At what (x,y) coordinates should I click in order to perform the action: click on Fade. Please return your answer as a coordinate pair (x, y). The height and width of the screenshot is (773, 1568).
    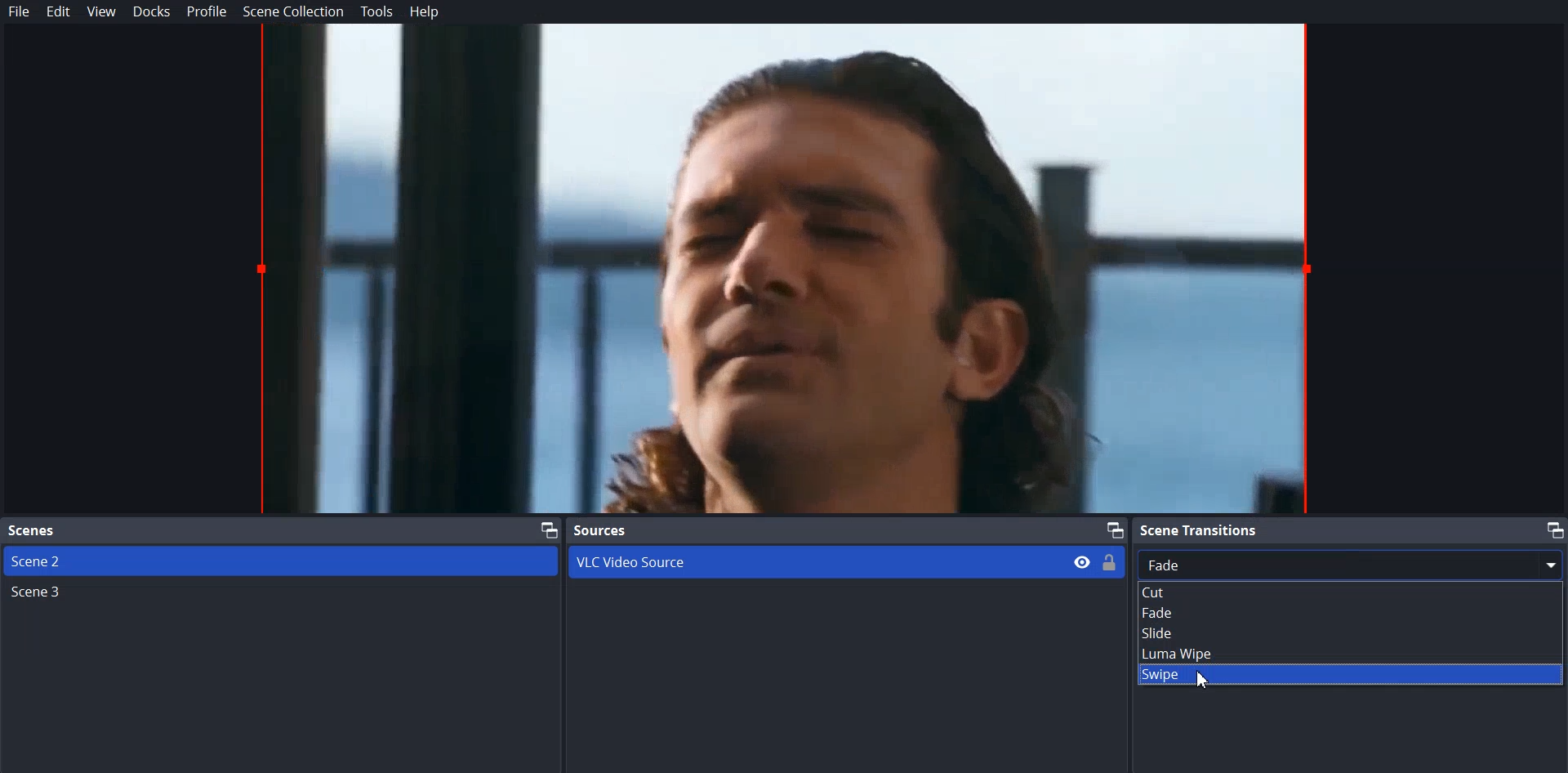
    Looking at the image, I should click on (1349, 613).